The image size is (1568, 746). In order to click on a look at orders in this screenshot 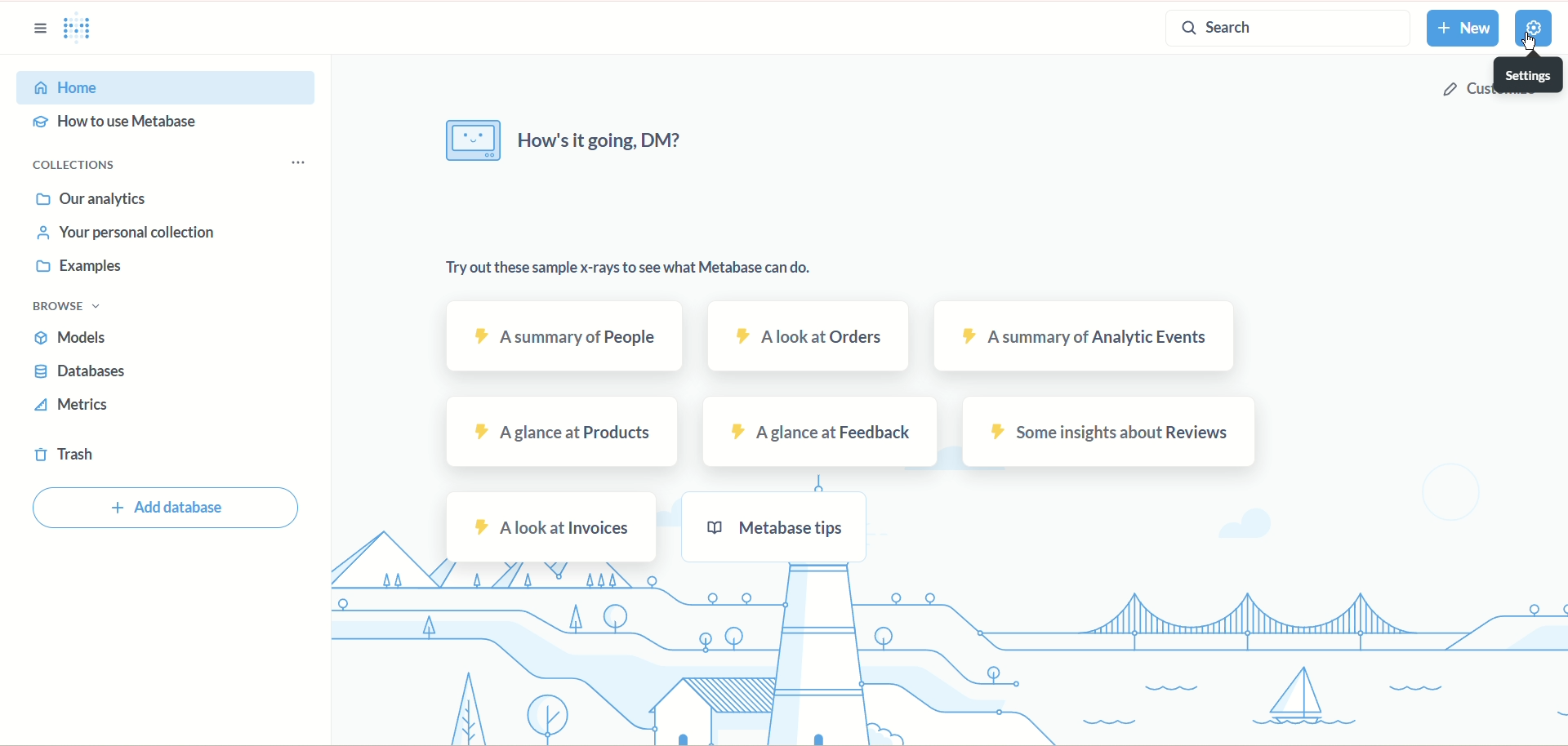, I will do `click(805, 334)`.